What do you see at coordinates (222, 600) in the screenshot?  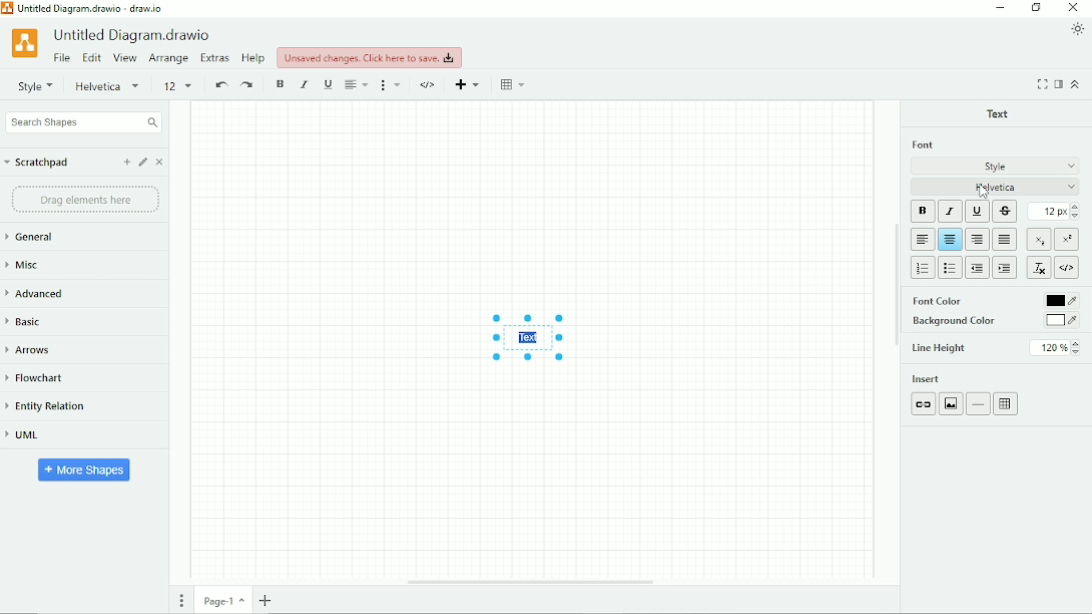 I see `Page number` at bounding box center [222, 600].